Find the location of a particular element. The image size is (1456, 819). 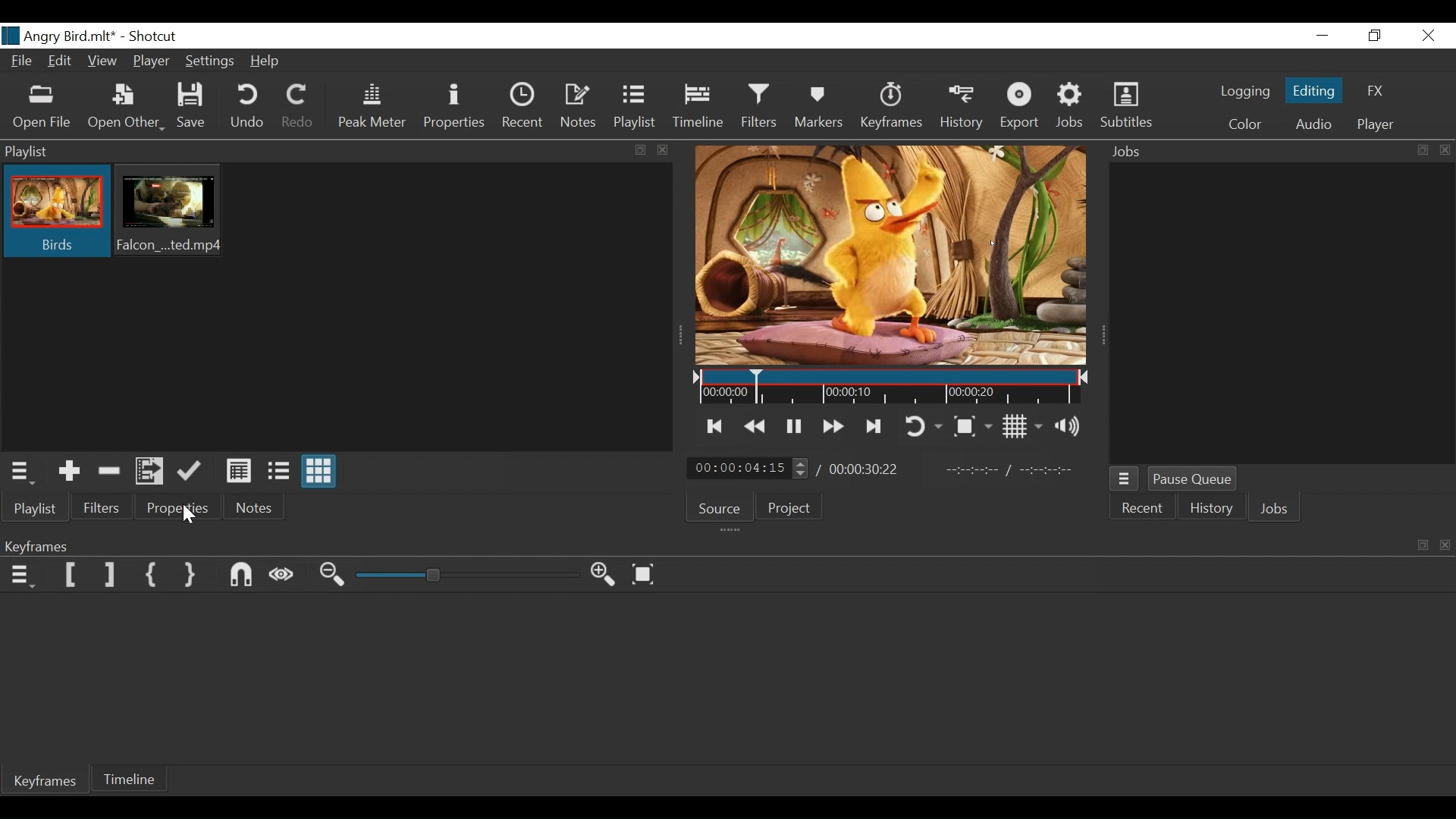

Scrub while dragging is located at coordinates (285, 575).